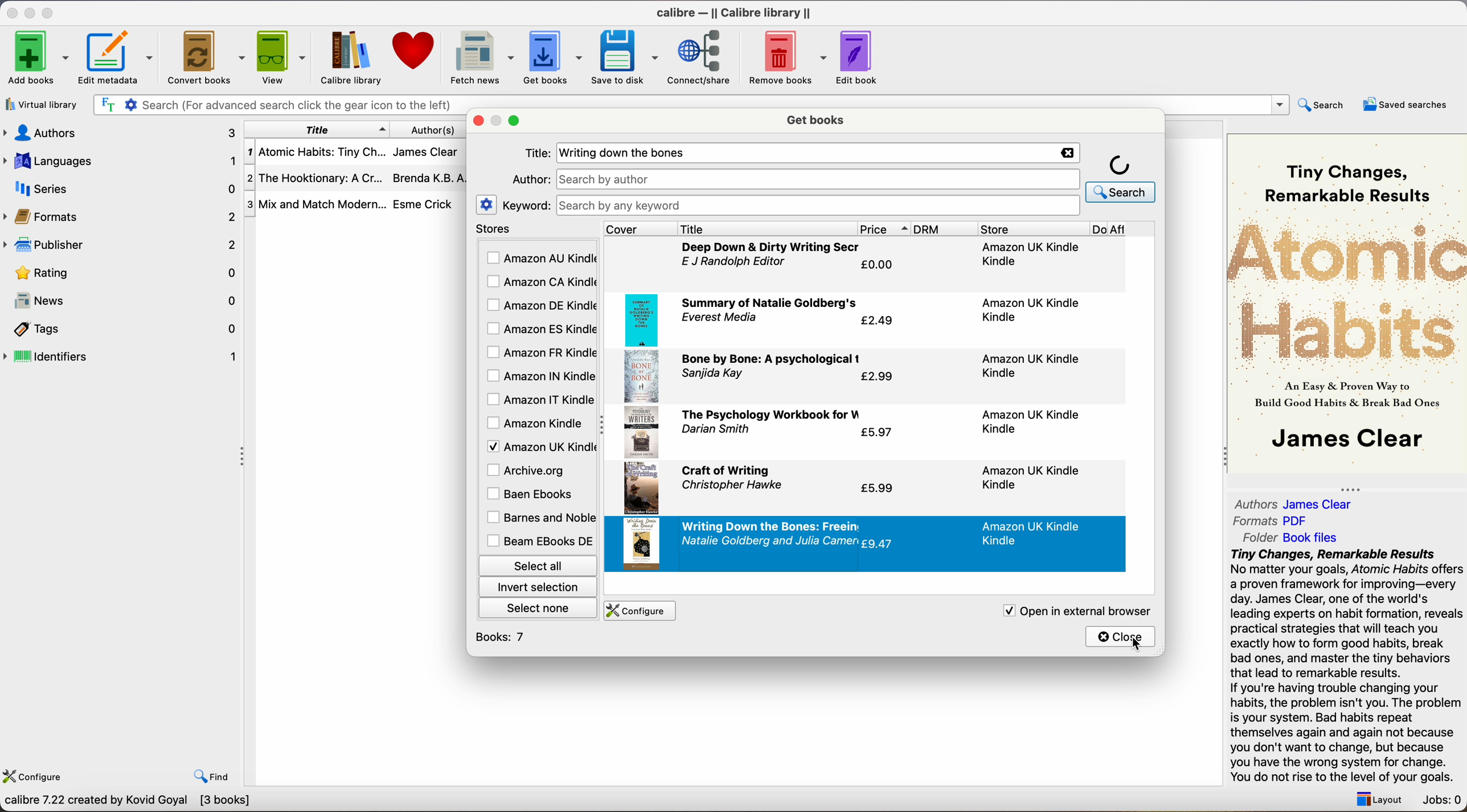  I want to click on close, so click(11, 13).